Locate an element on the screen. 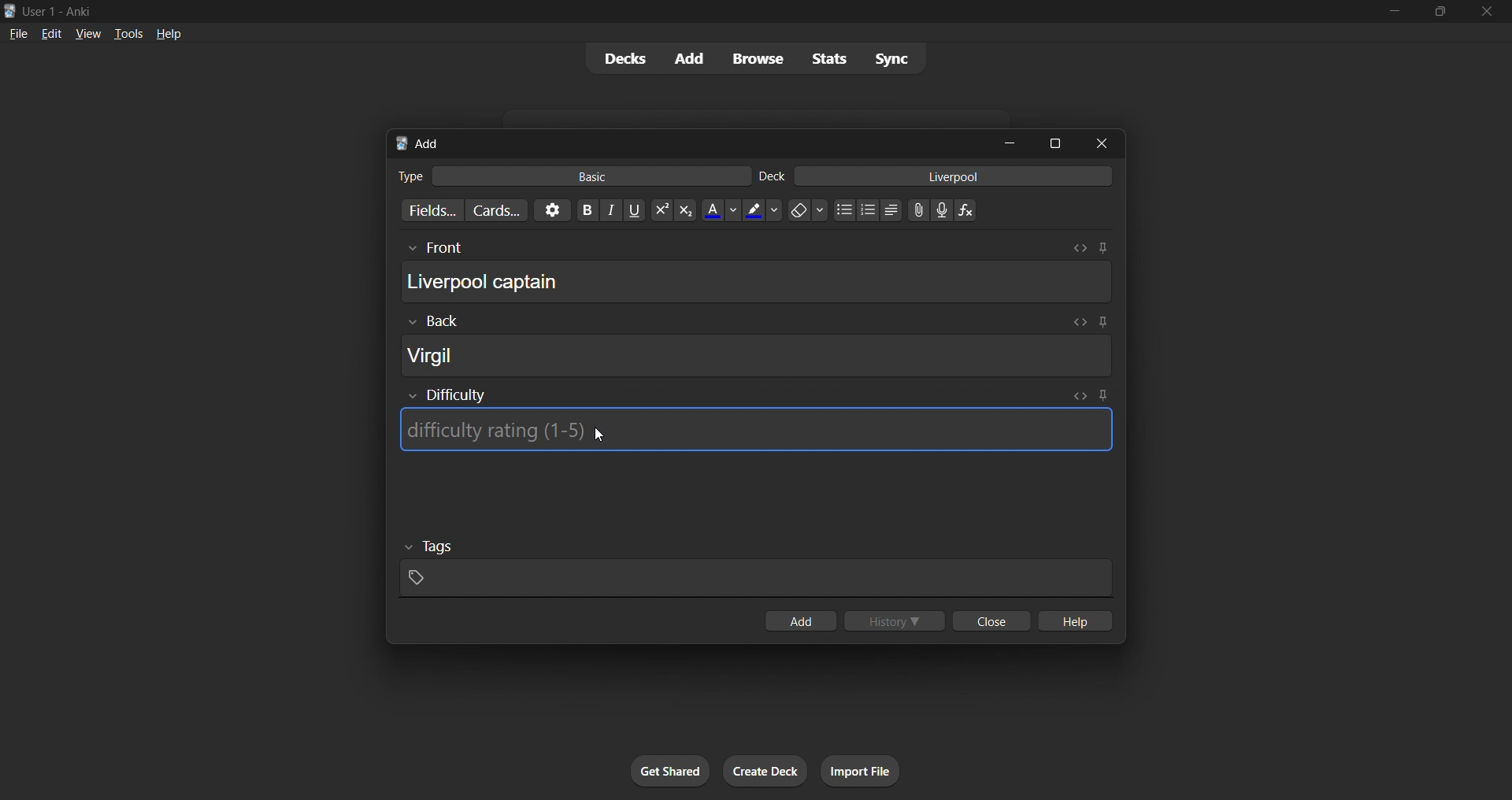 Image resolution: width=1512 pixels, height=800 pixels. add is located at coordinates (800, 620).